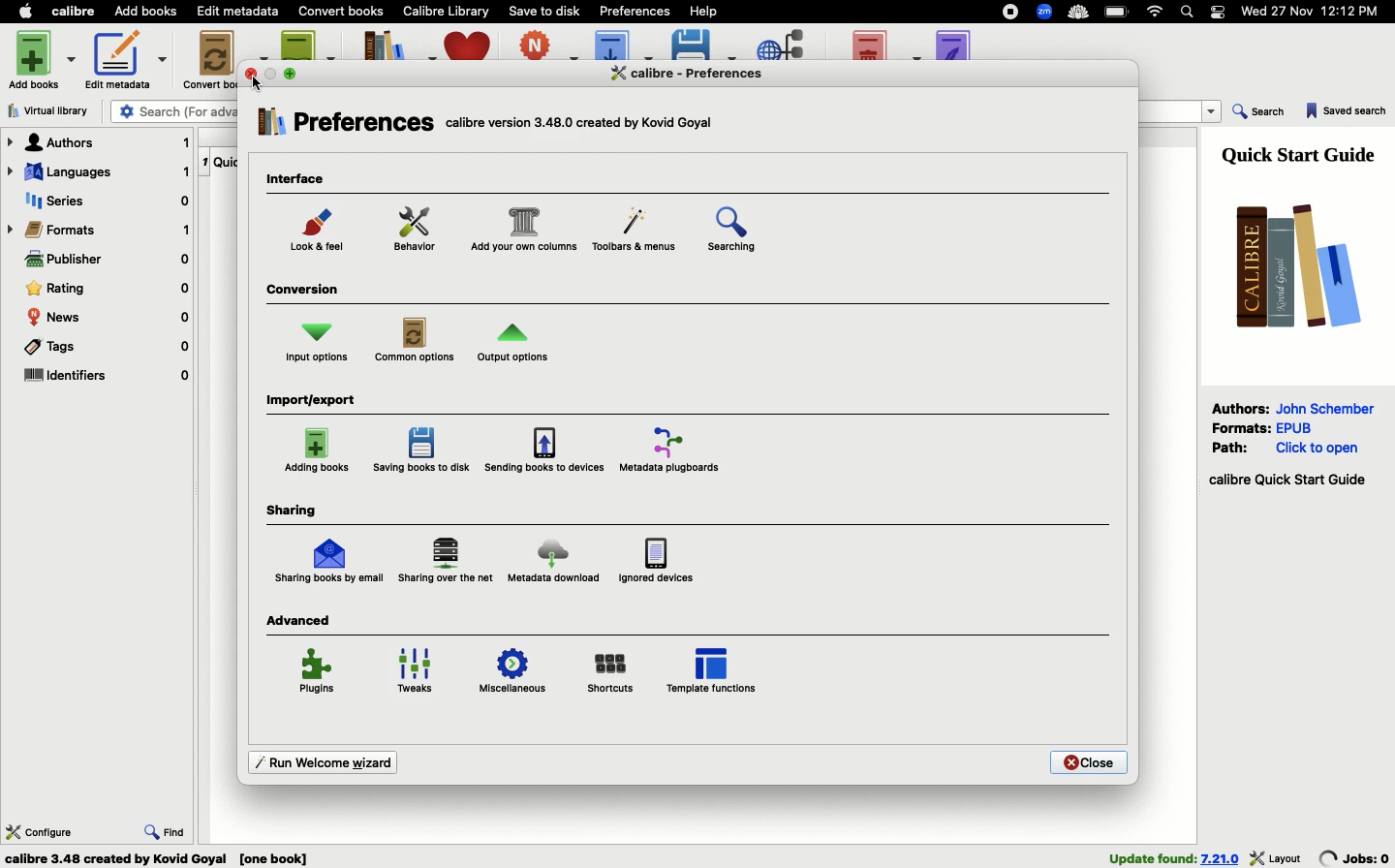 The image size is (1395, 868). I want to click on Internet, so click(1156, 12).